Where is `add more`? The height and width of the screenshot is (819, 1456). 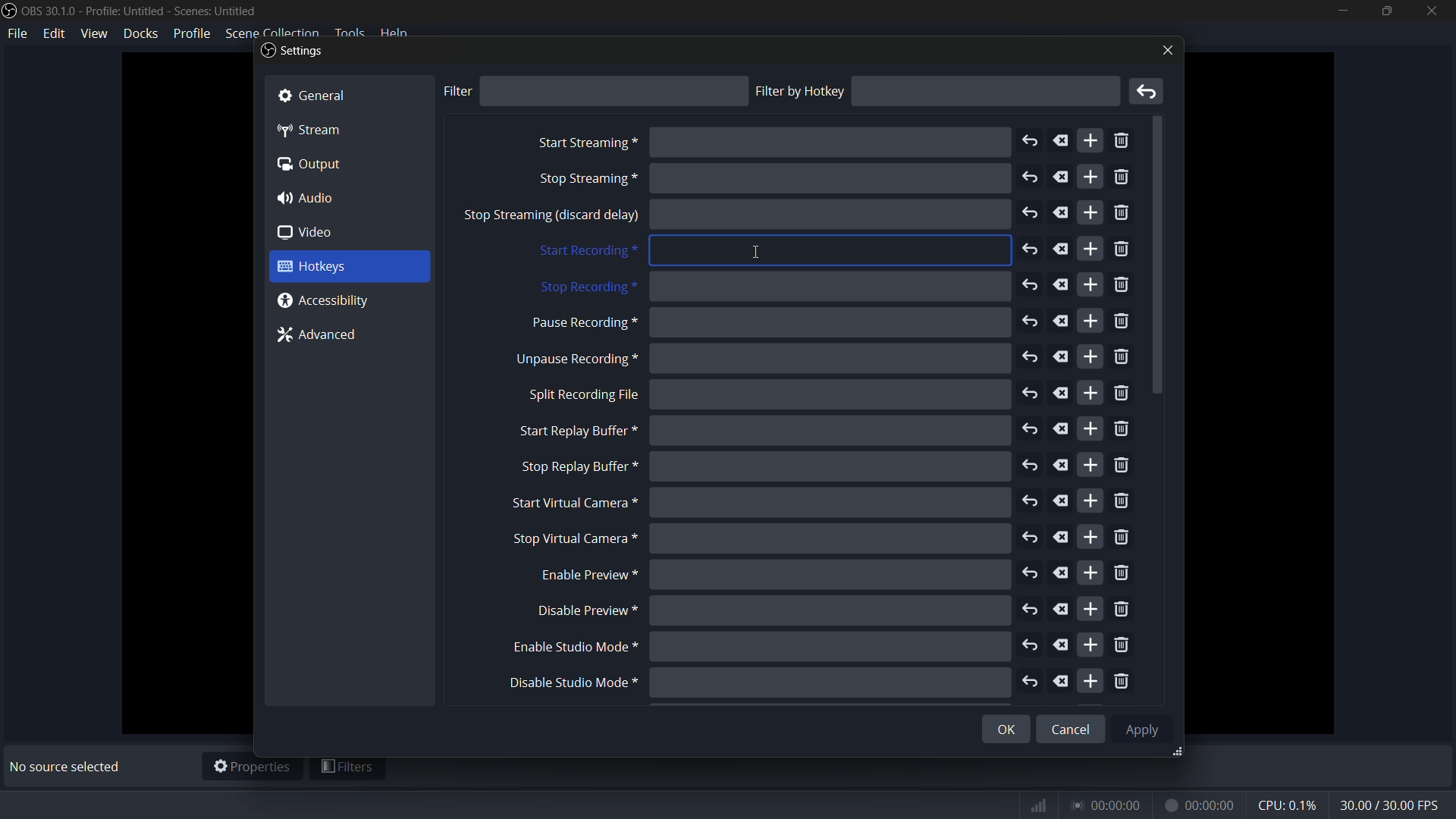 add more is located at coordinates (1090, 574).